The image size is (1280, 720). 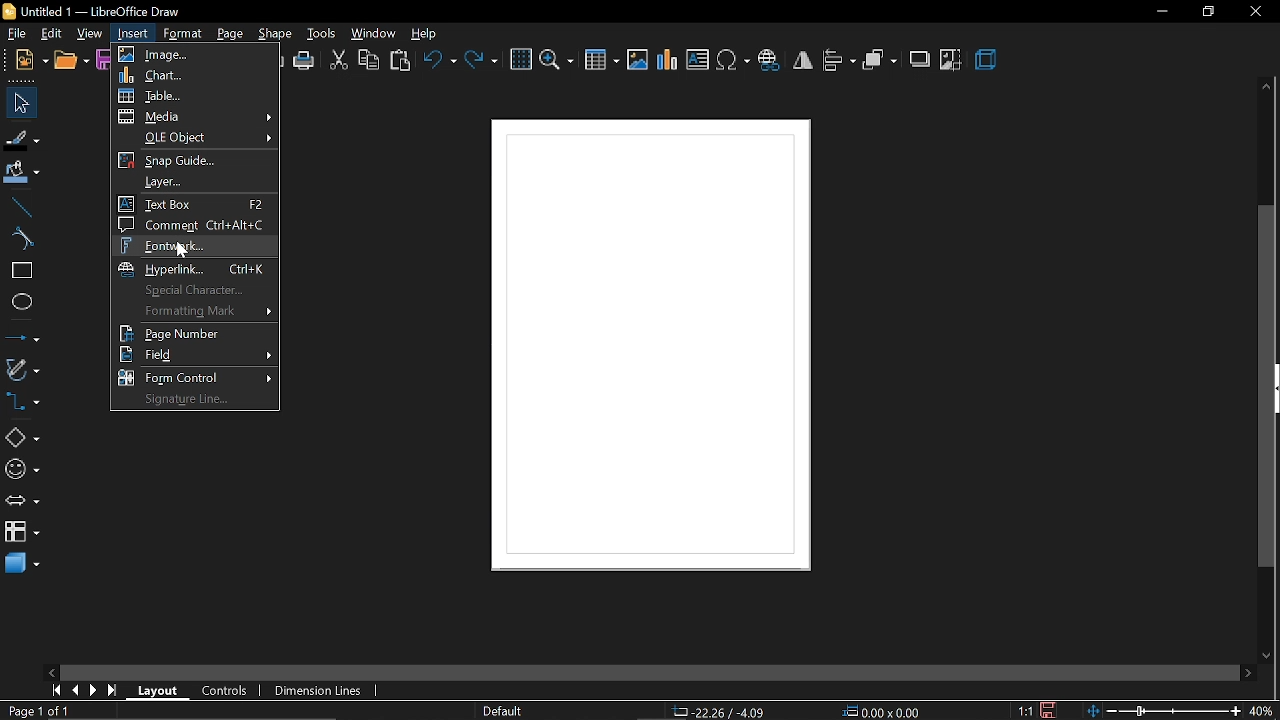 What do you see at coordinates (195, 160) in the screenshot?
I see `snap guide` at bounding box center [195, 160].